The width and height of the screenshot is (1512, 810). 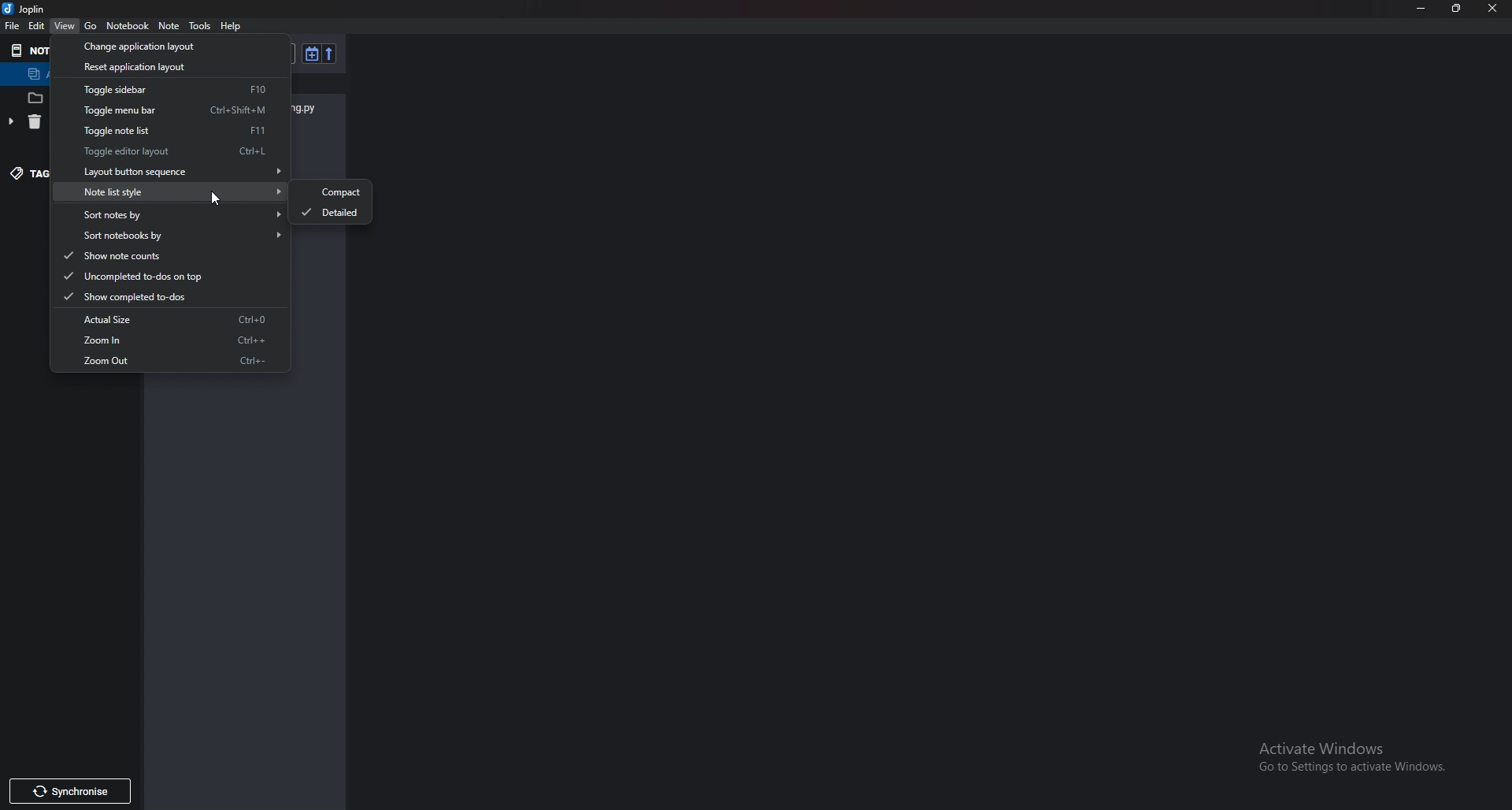 I want to click on Zoom out, so click(x=169, y=361).